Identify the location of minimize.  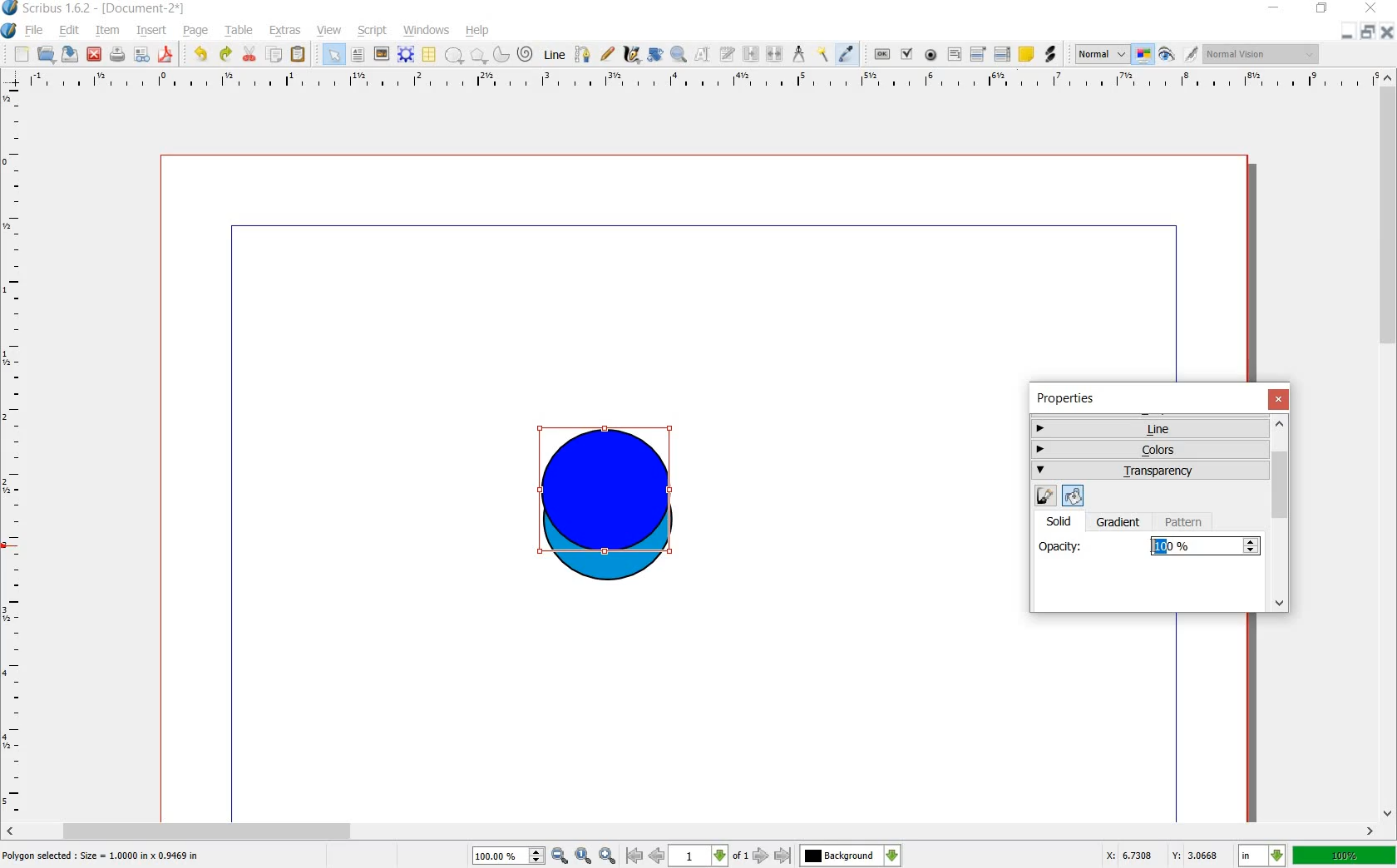
(1274, 7).